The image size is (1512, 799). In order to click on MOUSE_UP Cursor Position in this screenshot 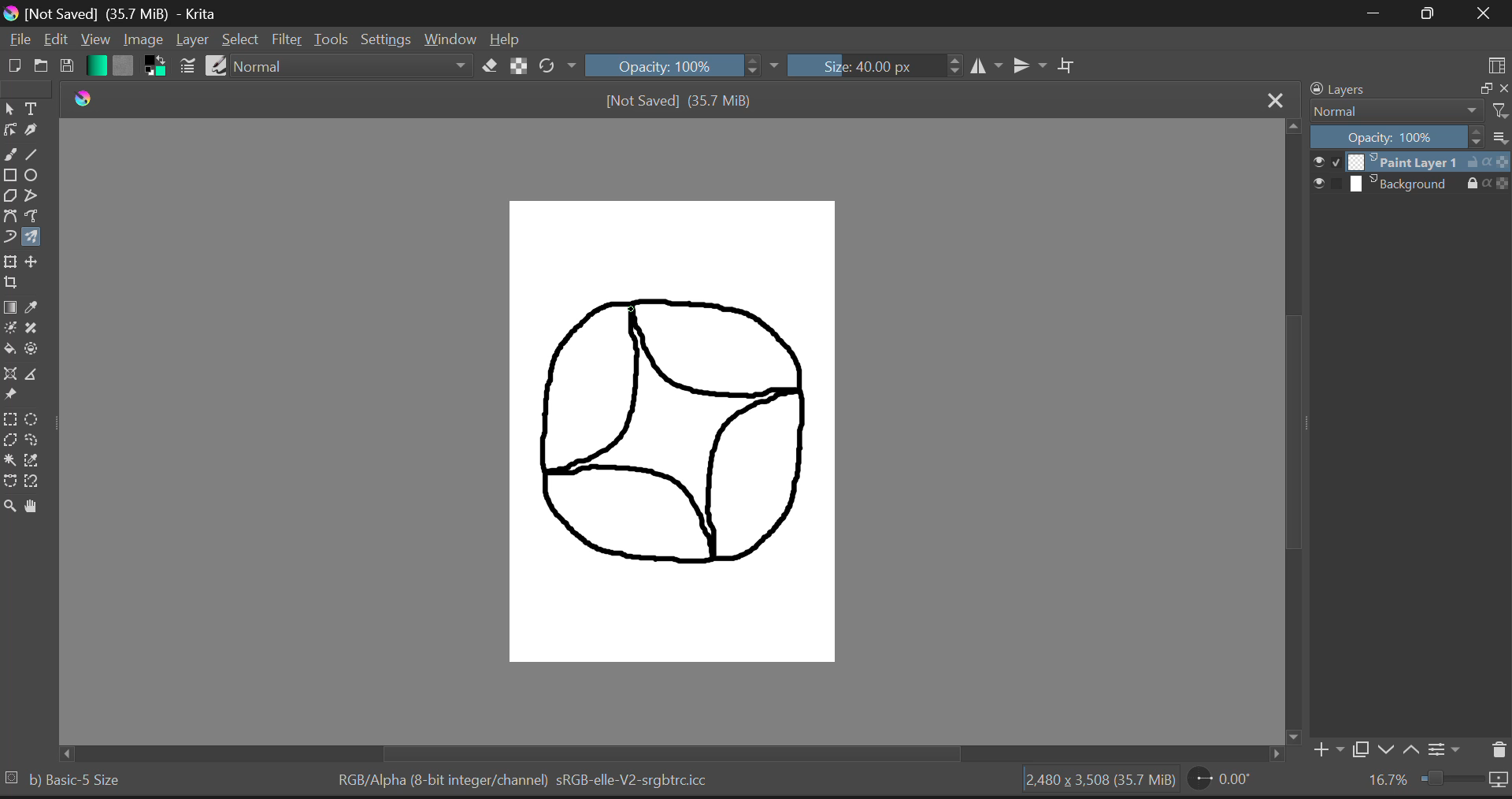, I will do `click(629, 307)`.